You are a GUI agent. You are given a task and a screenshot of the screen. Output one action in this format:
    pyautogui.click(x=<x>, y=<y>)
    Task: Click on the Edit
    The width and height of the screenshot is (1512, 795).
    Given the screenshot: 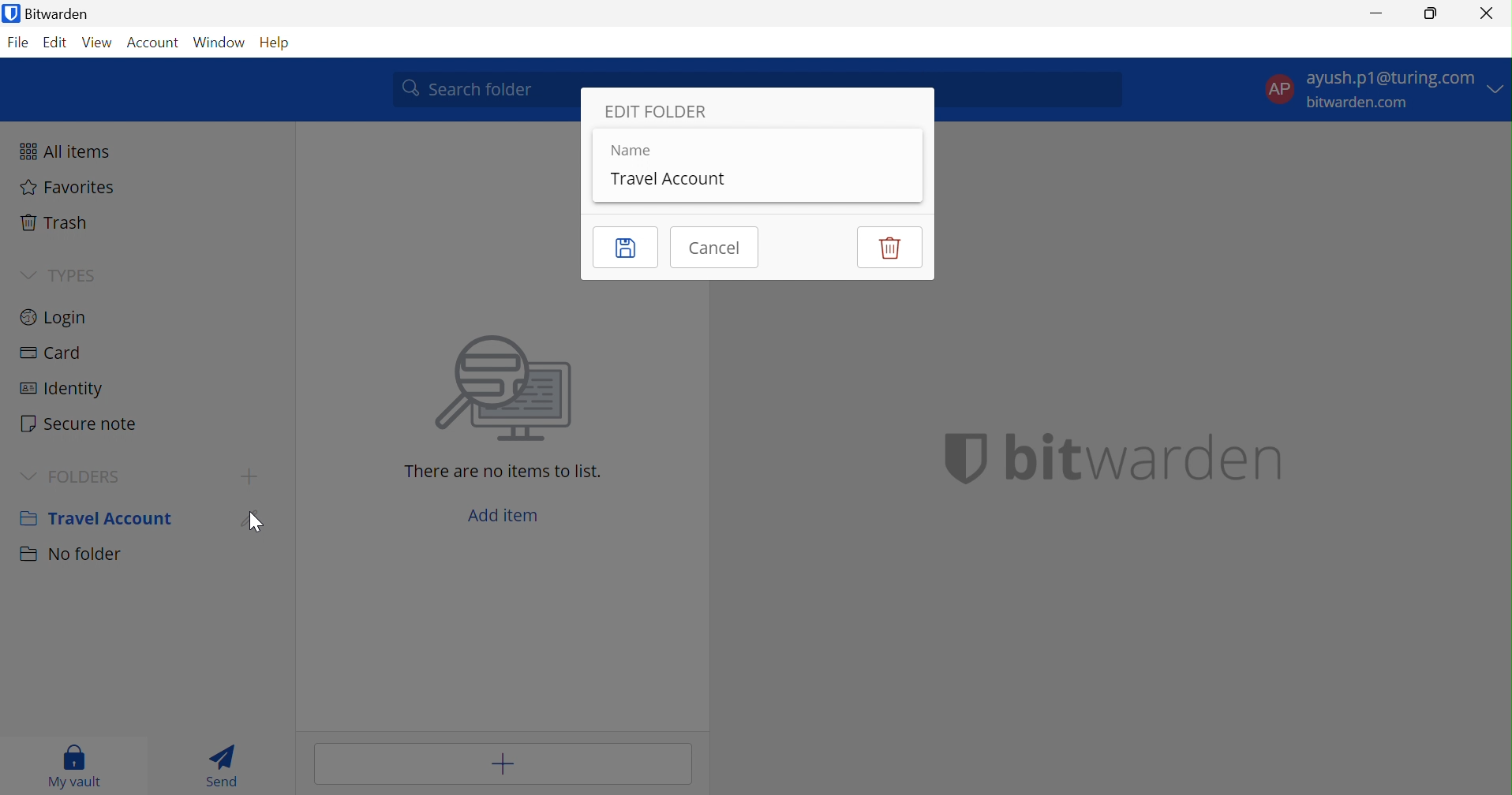 What is the action you would take?
    pyautogui.click(x=56, y=44)
    